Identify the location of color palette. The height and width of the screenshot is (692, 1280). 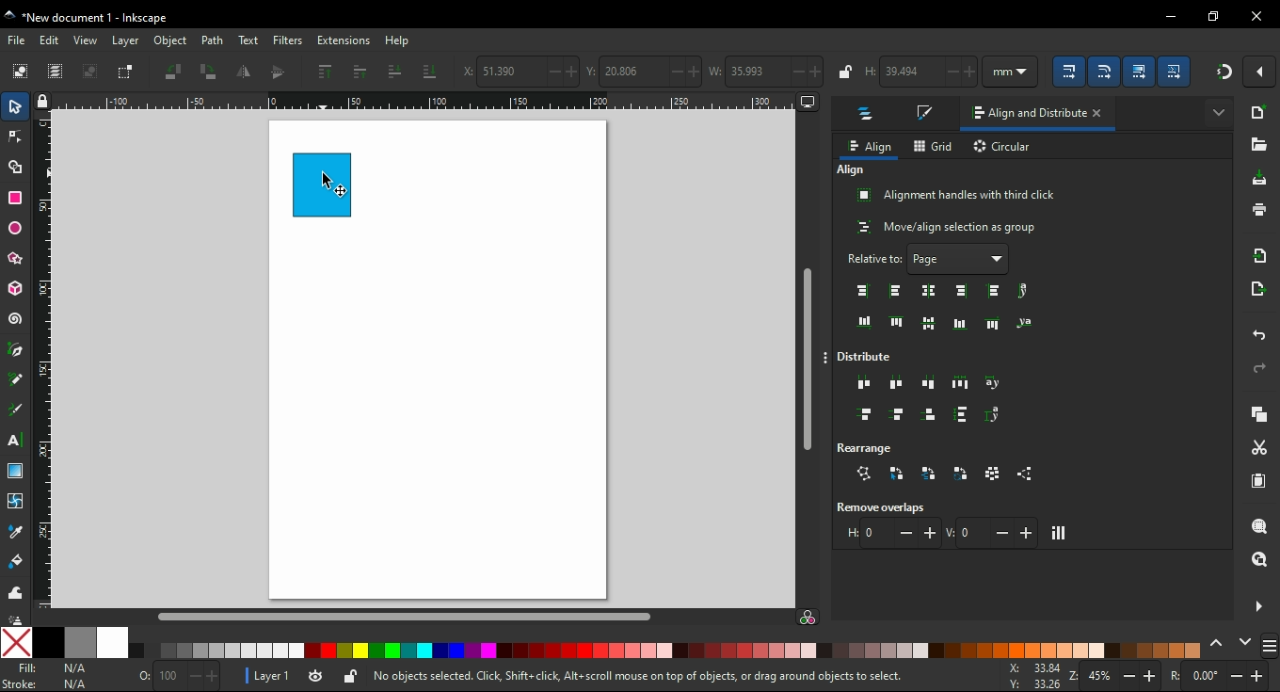
(668, 651).